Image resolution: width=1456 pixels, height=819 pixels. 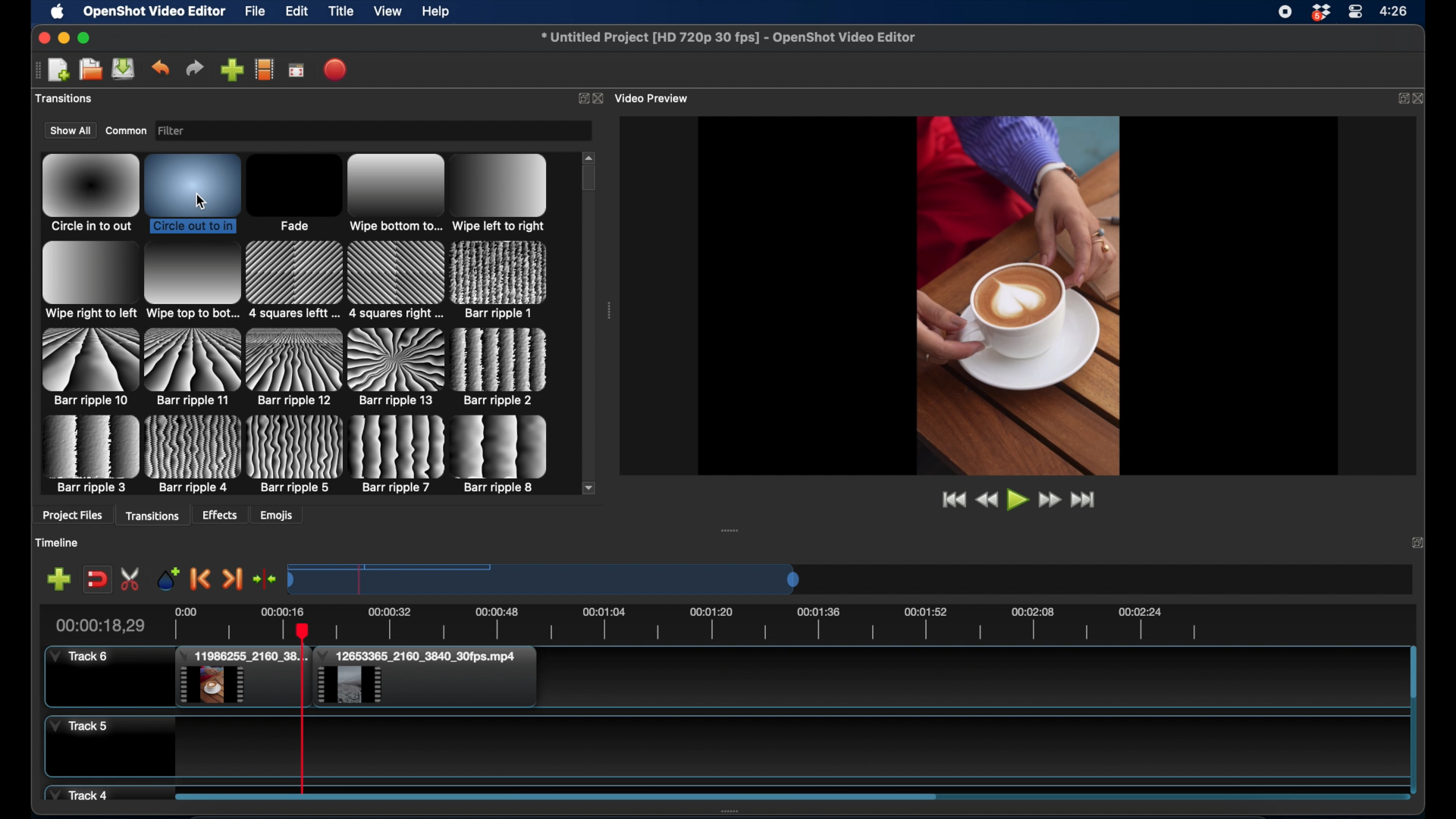 I want to click on import files, so click(x=231, y=70).